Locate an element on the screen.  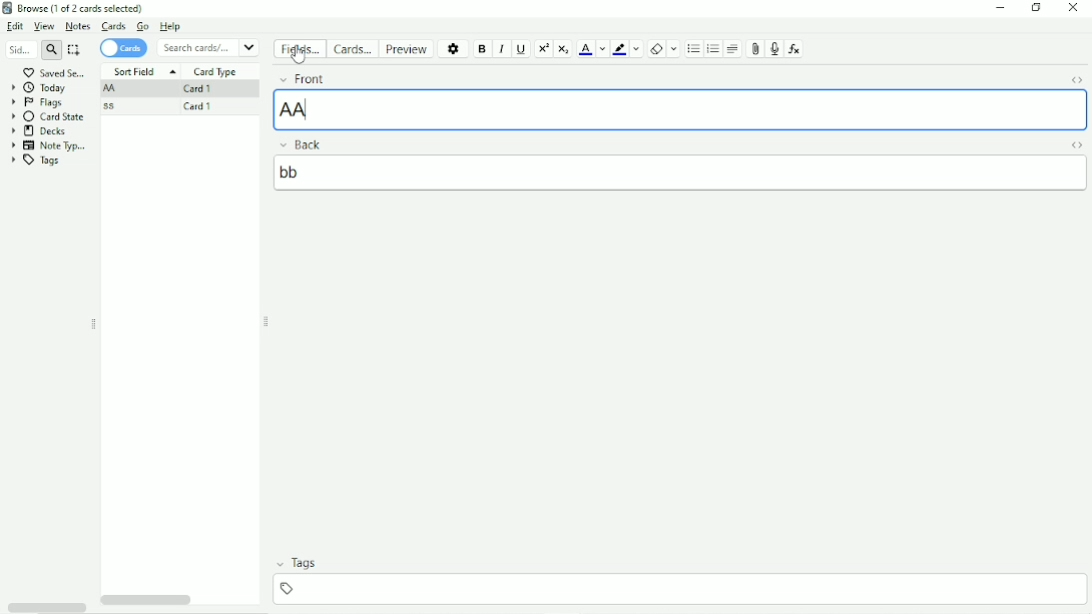
Record audio is located at coordinates (774, 50).